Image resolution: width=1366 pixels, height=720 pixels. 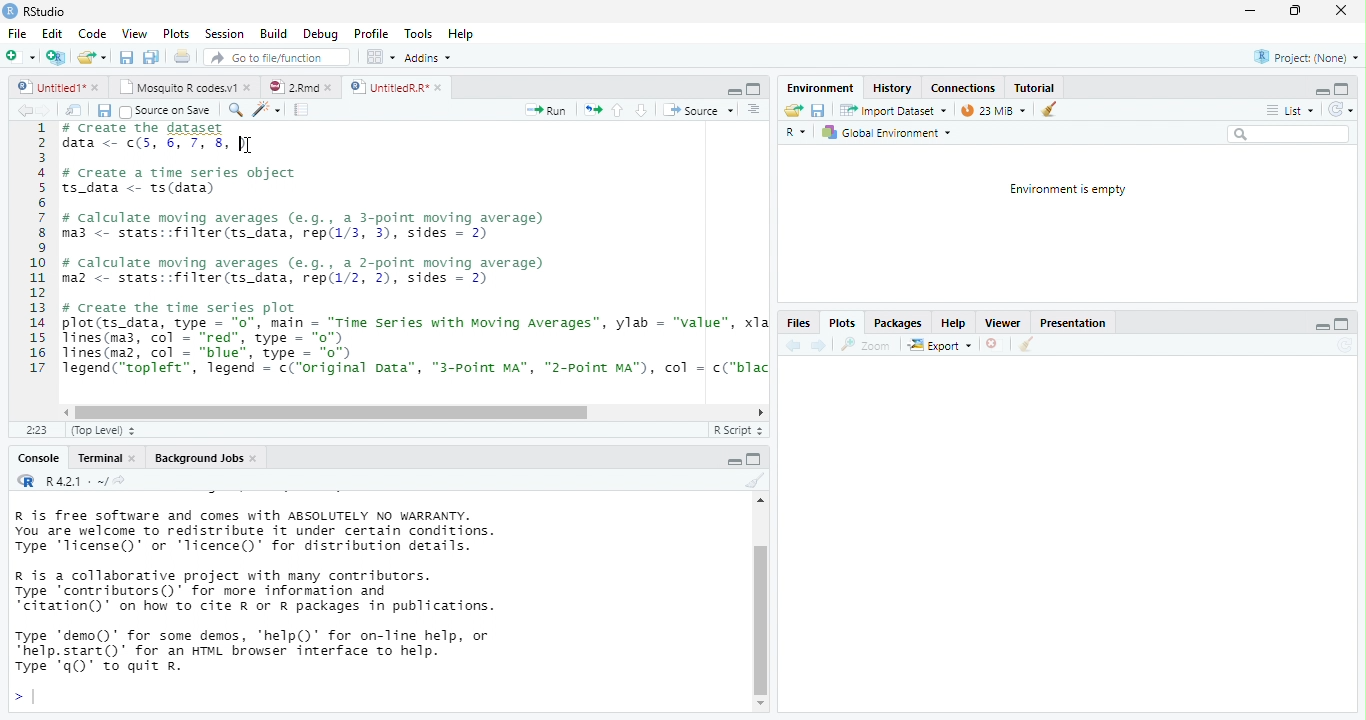 I want to click on RStudio, so click(x=36, y=10).